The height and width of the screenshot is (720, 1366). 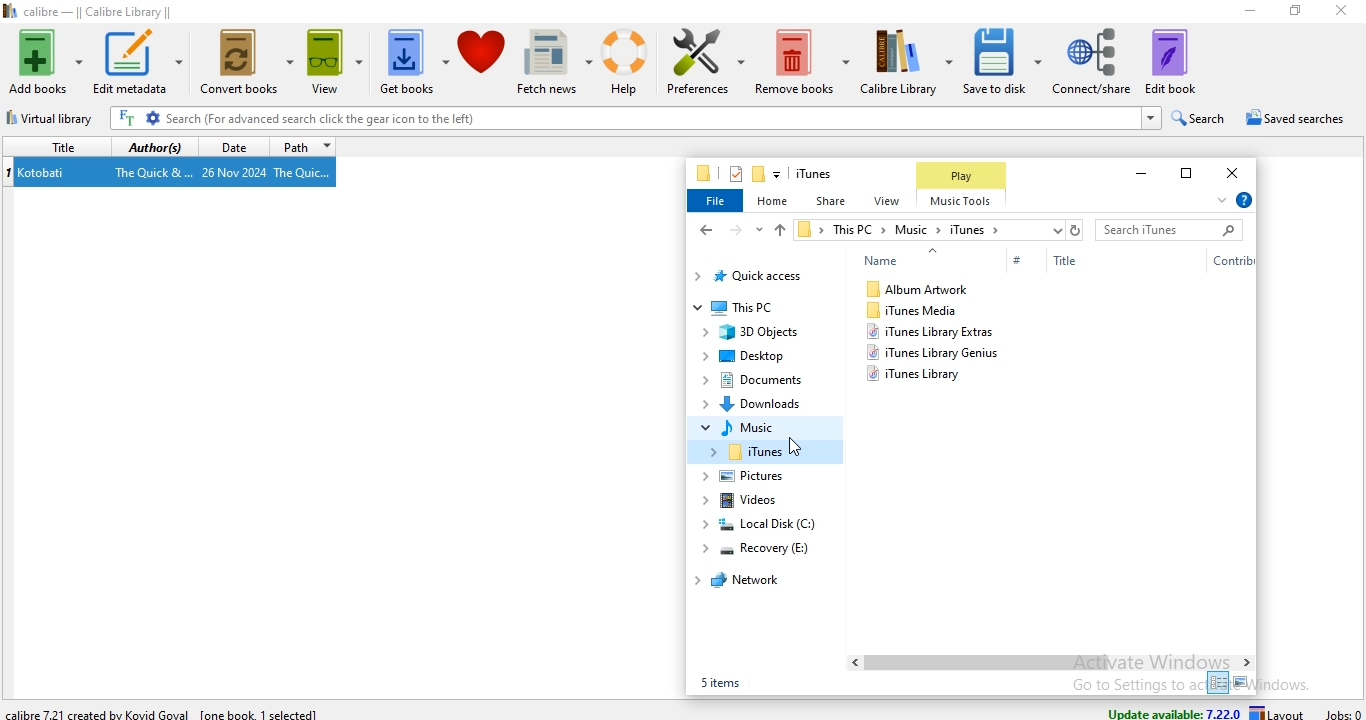 I want to click on search, so click(x=1199, y=116).